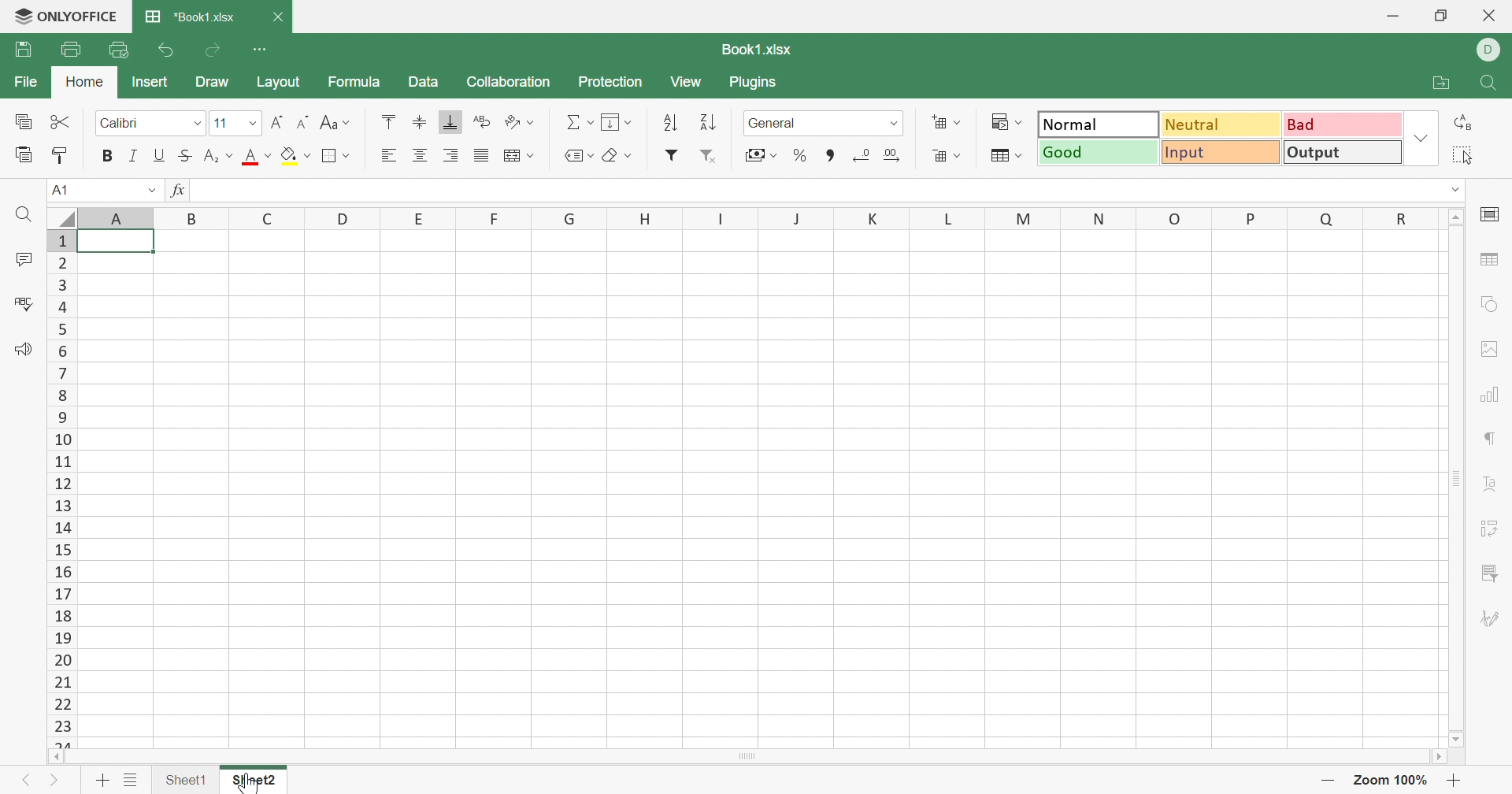 This screenshot has height=794, width=1512. I want to click on Align Bottom, so click(453, 123).